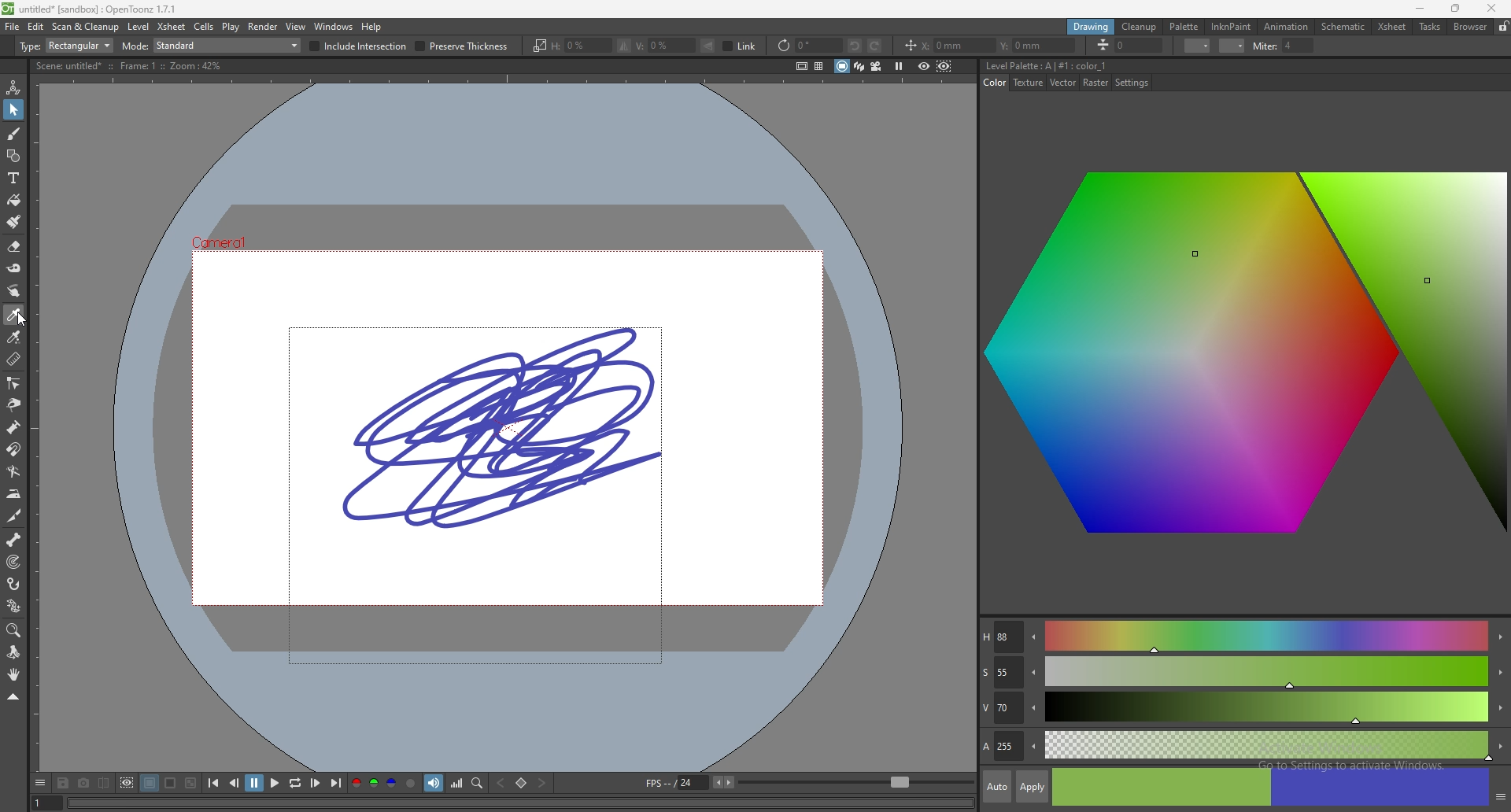  Describe the element at coordinates (139, 26) in the screenshot. I see `level` at that location.